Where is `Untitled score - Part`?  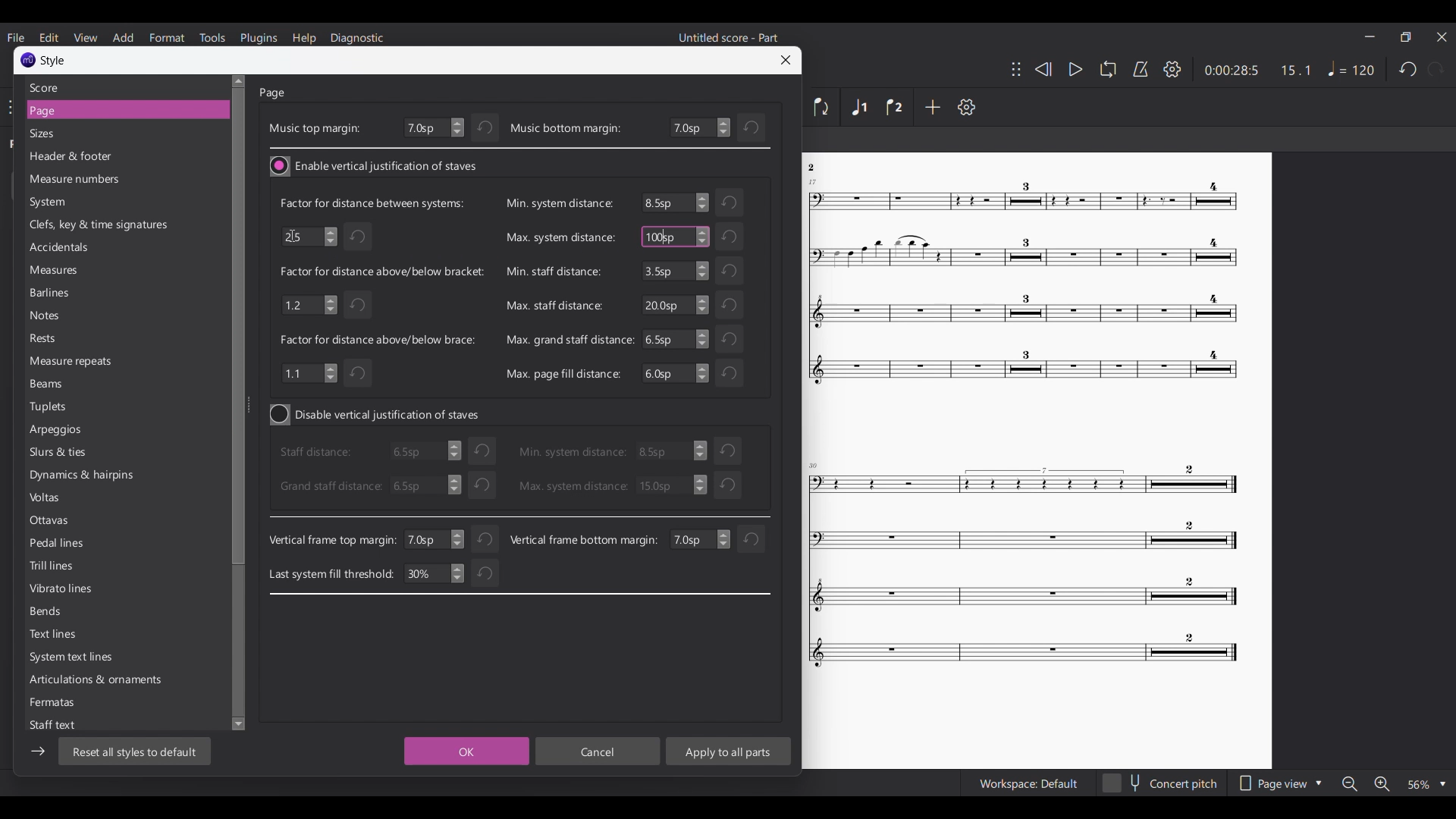
Untitled score - Part is located at coordinates (730, 37).